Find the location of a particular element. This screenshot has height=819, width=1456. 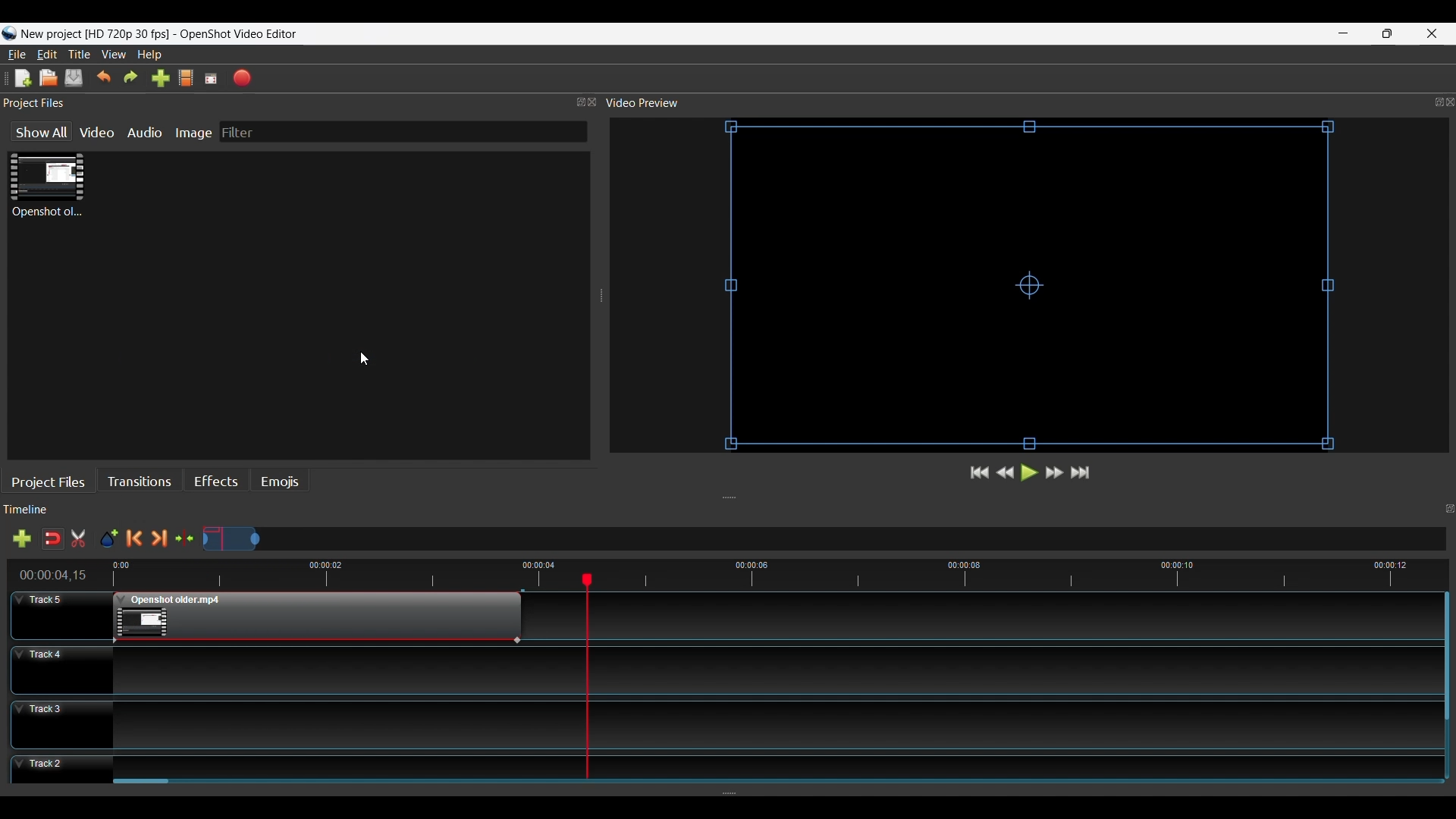

Emojis is located at coordinates (279, 482).